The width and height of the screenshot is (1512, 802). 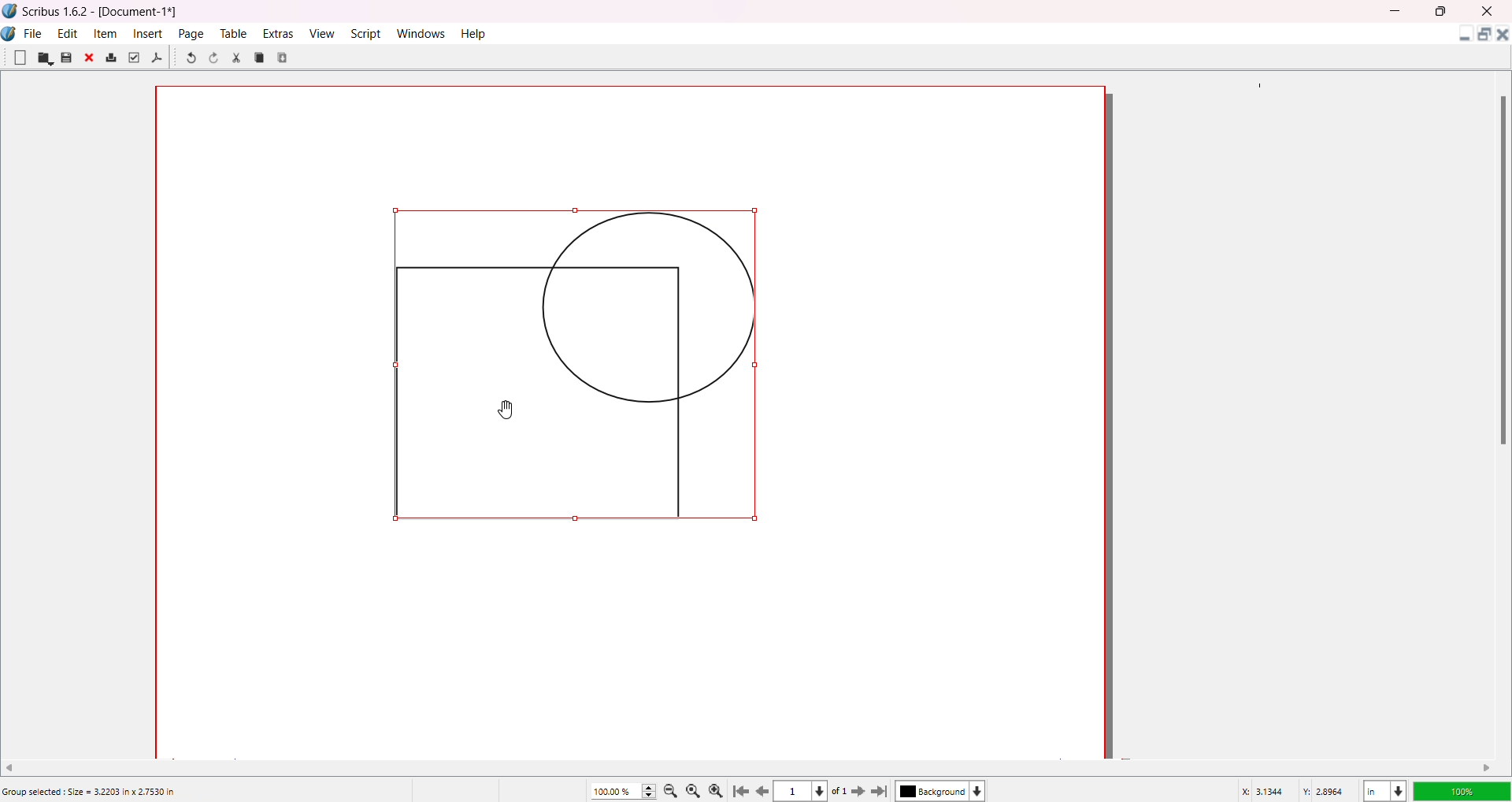 I want to click on Edit, so click(x=68, y=32).